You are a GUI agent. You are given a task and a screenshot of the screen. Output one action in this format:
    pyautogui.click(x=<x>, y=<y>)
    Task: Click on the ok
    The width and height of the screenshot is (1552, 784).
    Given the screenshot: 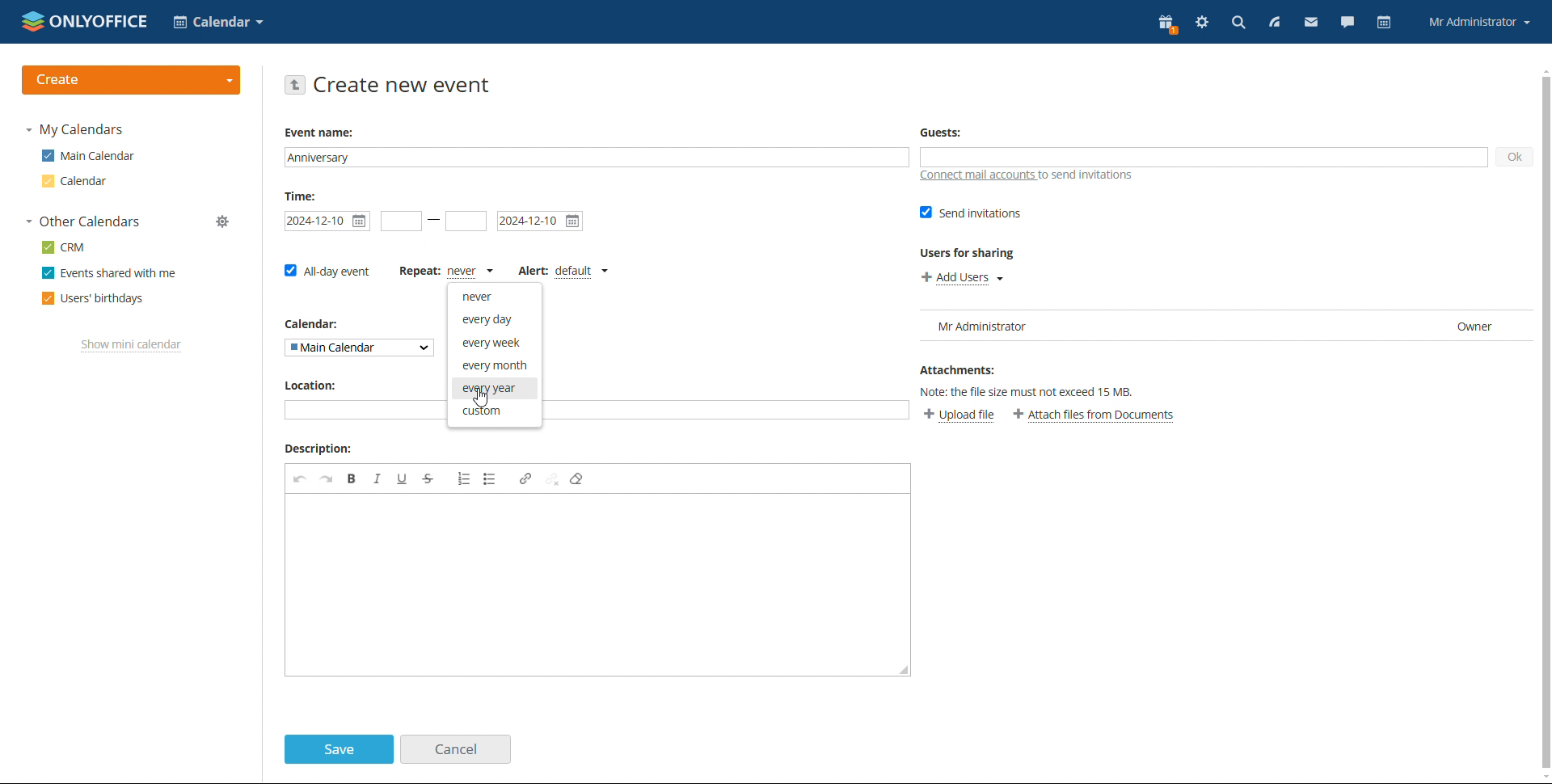 What is the action you would take?
    pyautogui.click(x=1514, y=157)
    